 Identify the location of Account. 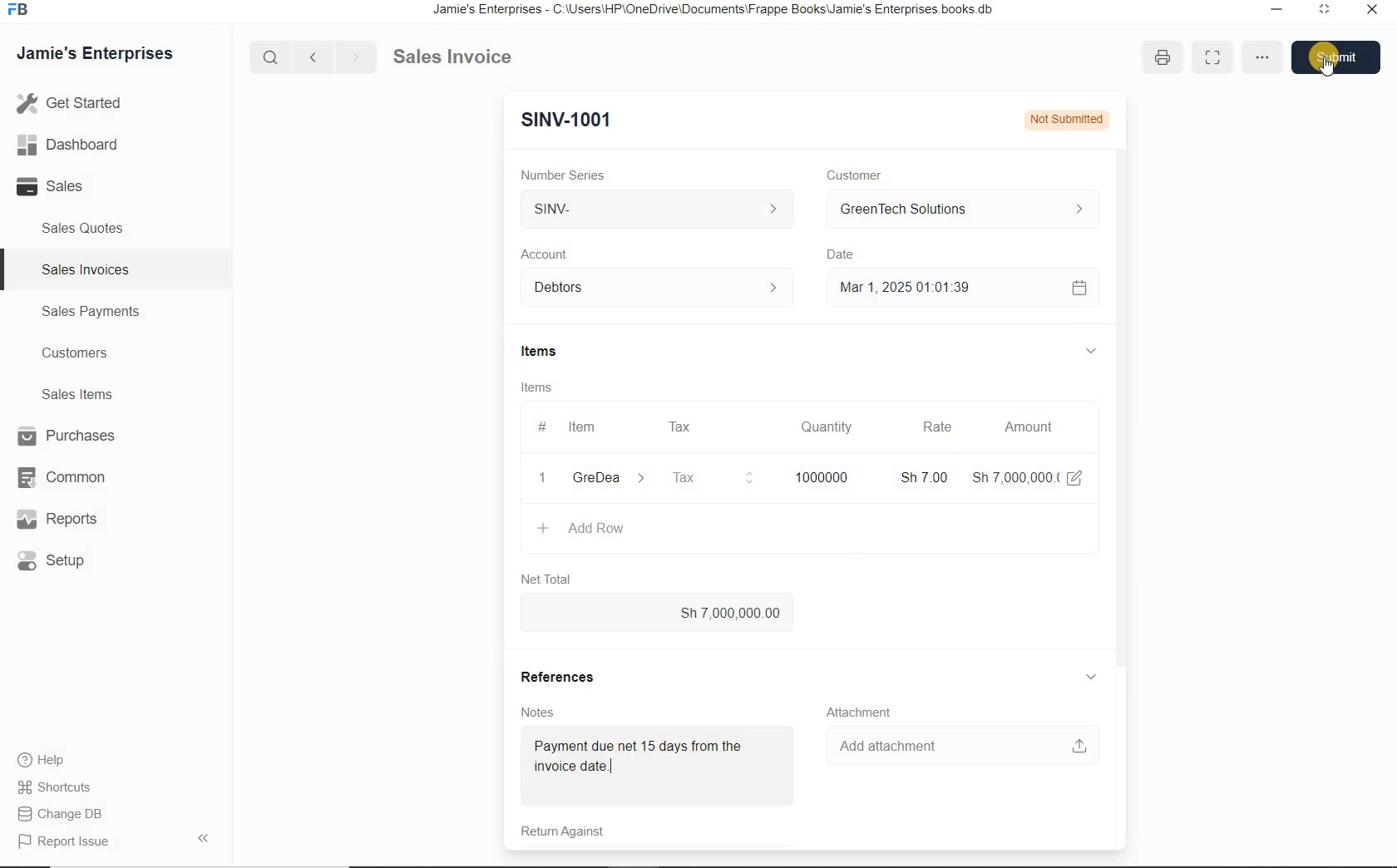
(545, 254).